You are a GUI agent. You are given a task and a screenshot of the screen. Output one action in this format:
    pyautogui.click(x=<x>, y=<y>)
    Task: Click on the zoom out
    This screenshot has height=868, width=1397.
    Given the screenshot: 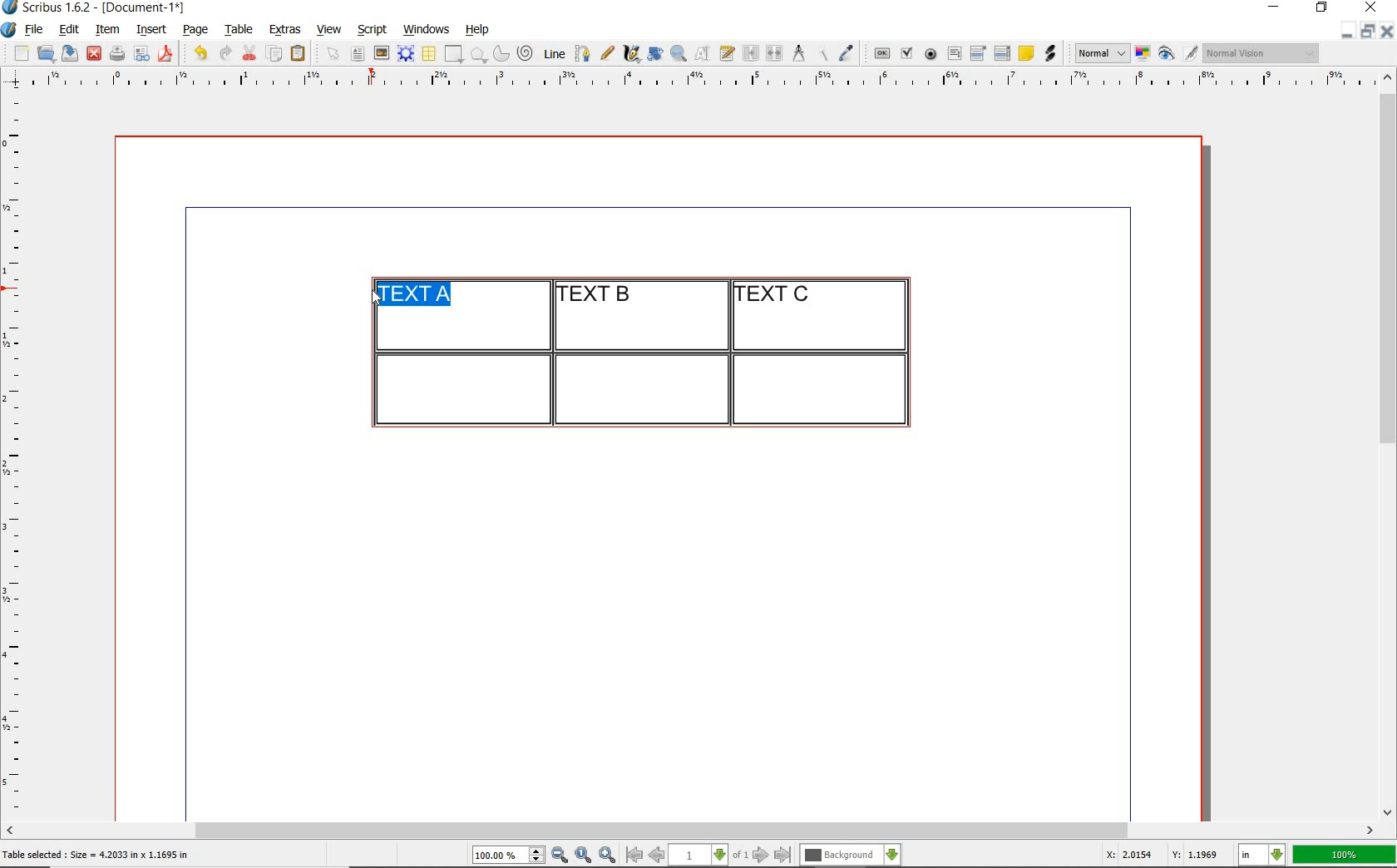 What is the action you would take?
    pyautogui.click(x=560, y=856)
    